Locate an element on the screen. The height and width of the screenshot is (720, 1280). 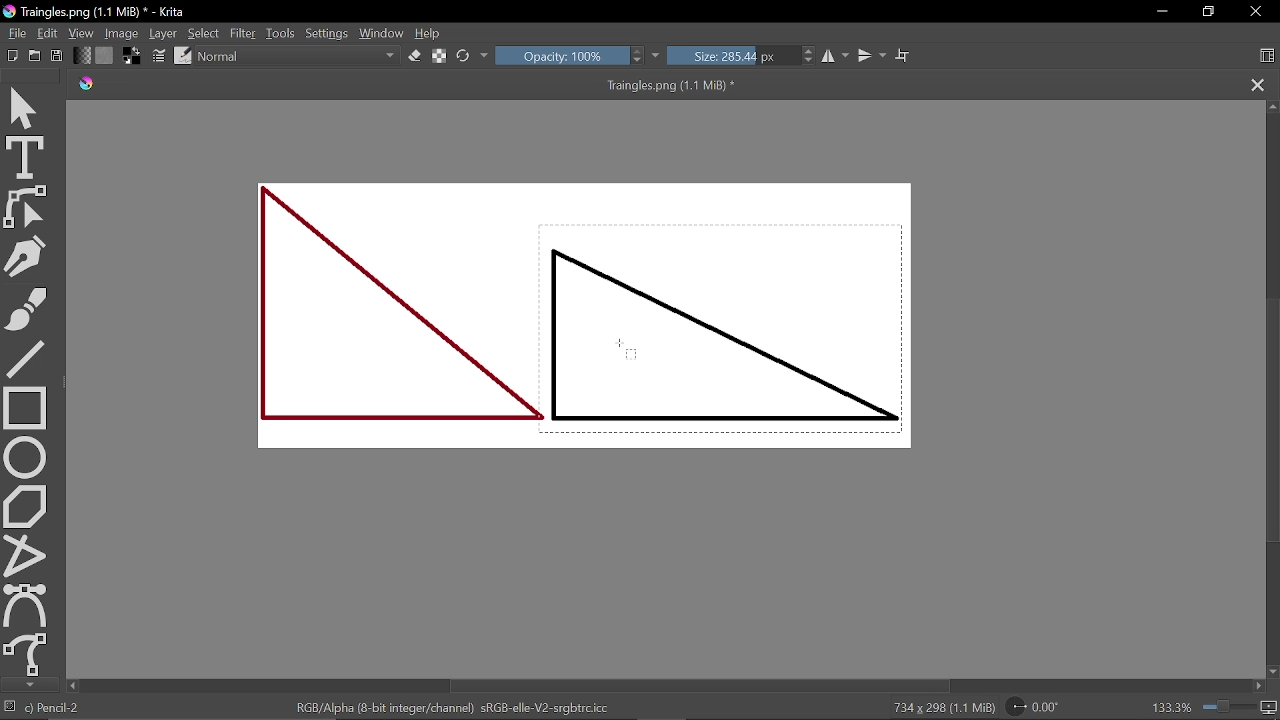
Freehand path tool is located at coordinates (25, 653).